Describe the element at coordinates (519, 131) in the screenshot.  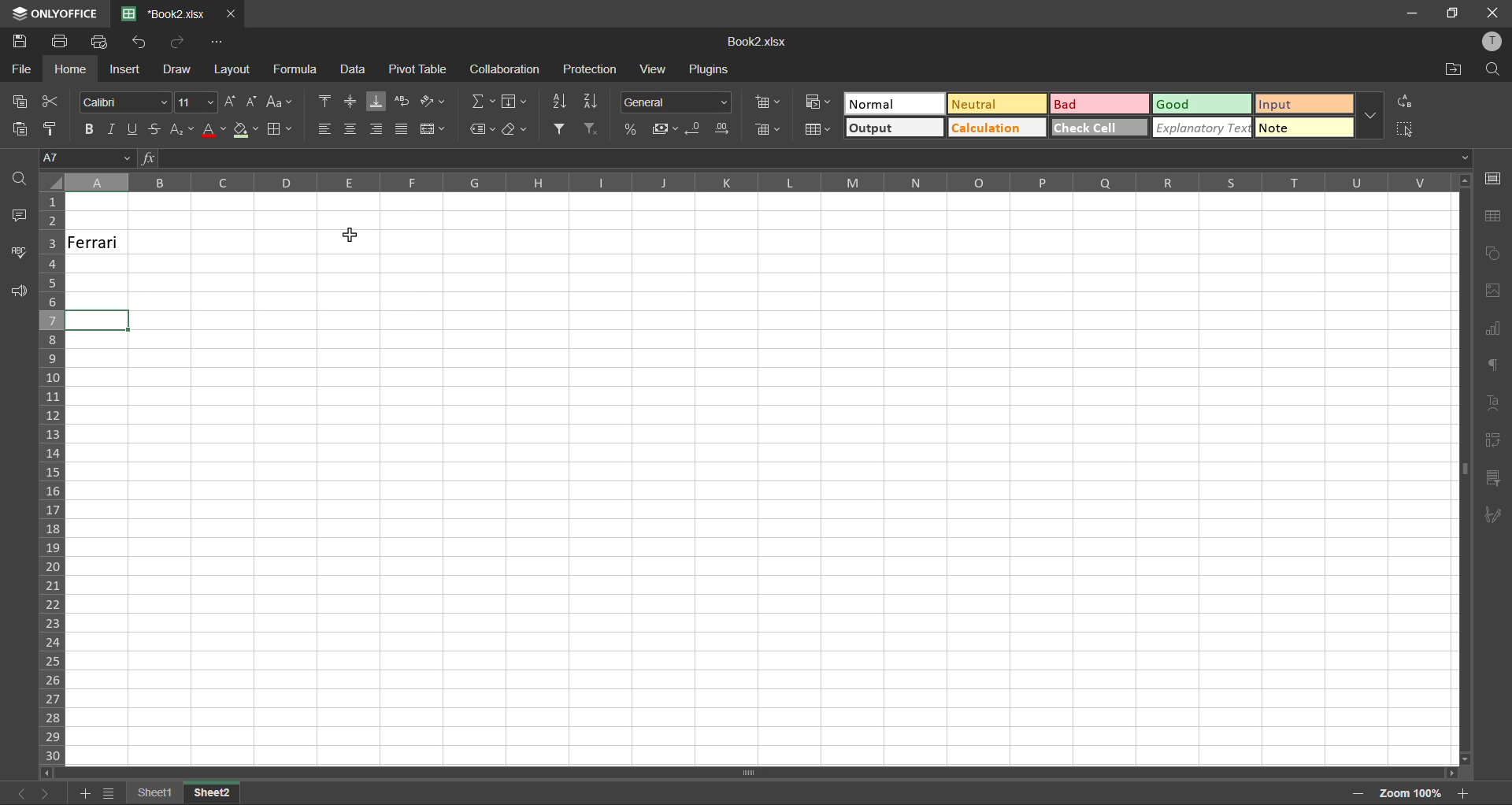
I see `clear` at that location.